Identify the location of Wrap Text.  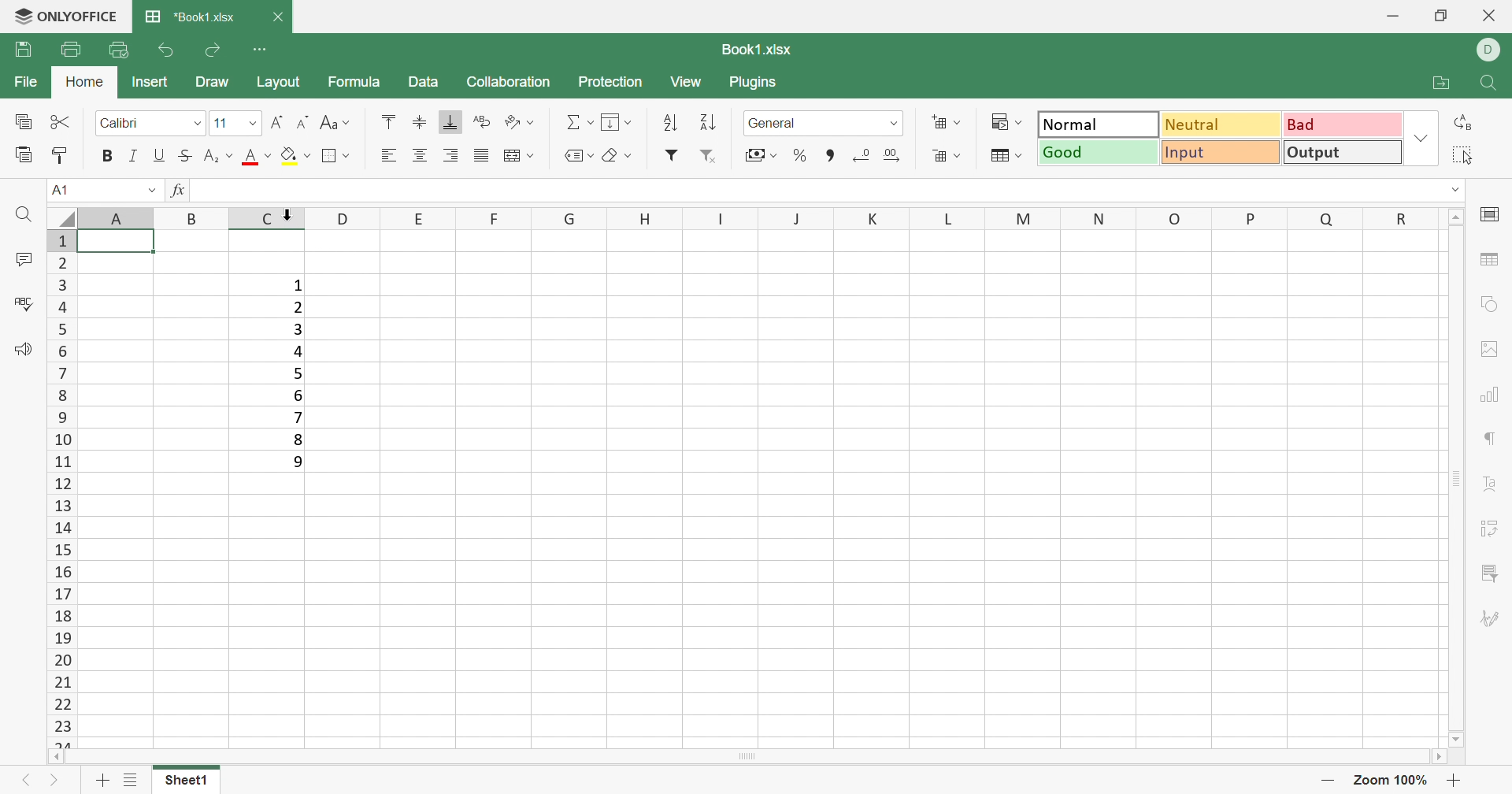
(484, 124).